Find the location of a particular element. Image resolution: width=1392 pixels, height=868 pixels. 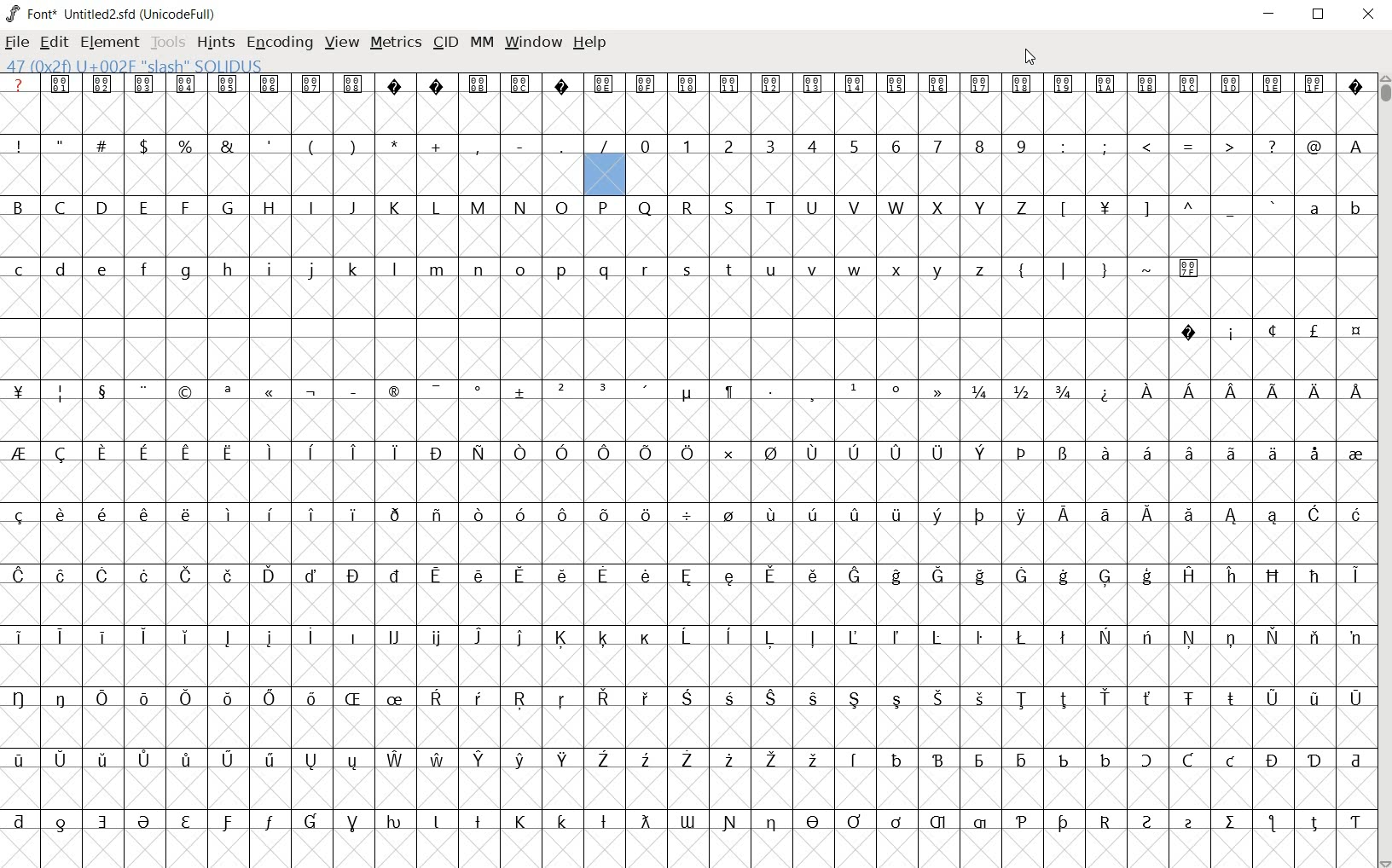

METRICS is located at coordinates (393, 45).